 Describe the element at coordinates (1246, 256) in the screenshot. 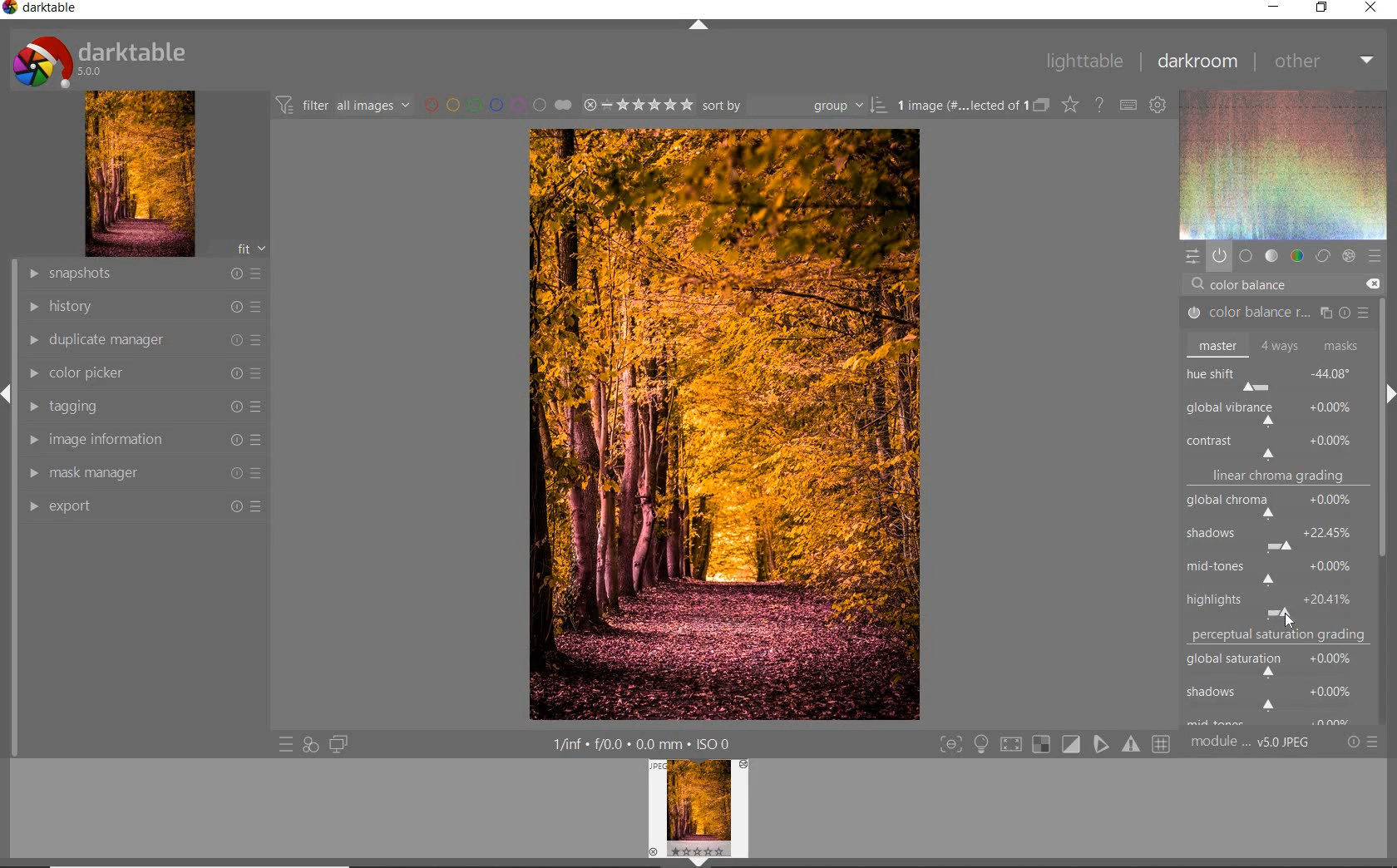

I see `base` at that location.